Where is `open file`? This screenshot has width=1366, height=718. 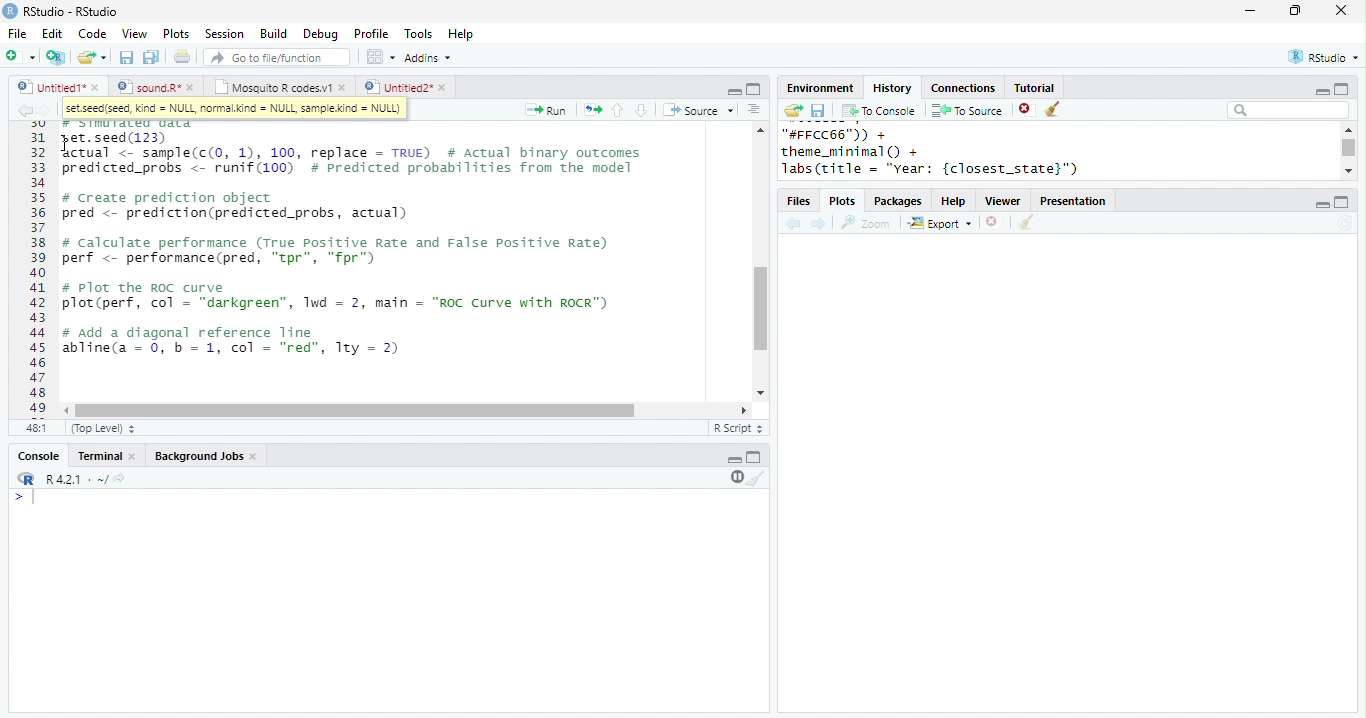 open file is located at coordinates (92, 57).